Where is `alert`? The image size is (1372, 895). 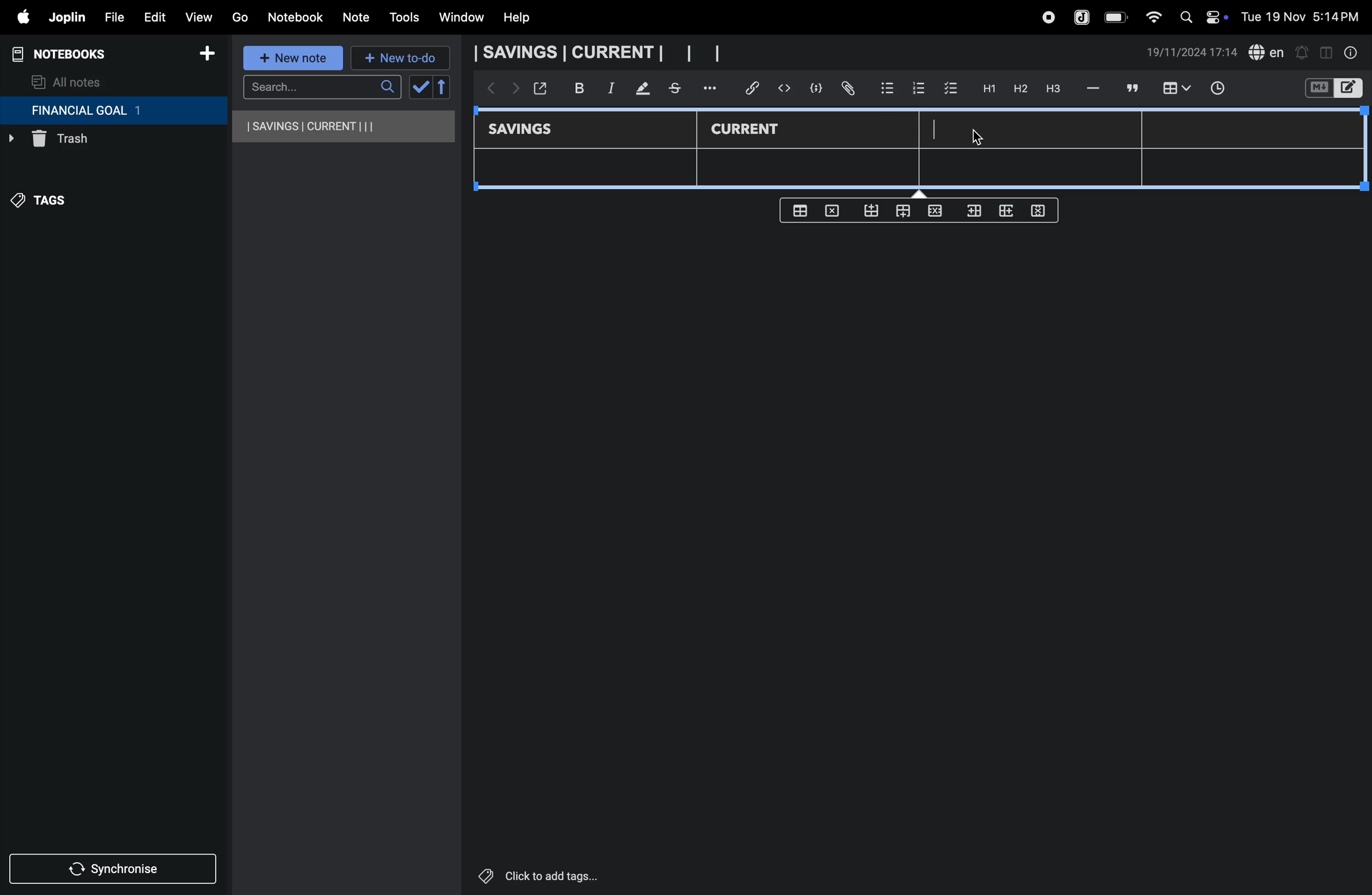
alert is located at coordinates (1301, 52).